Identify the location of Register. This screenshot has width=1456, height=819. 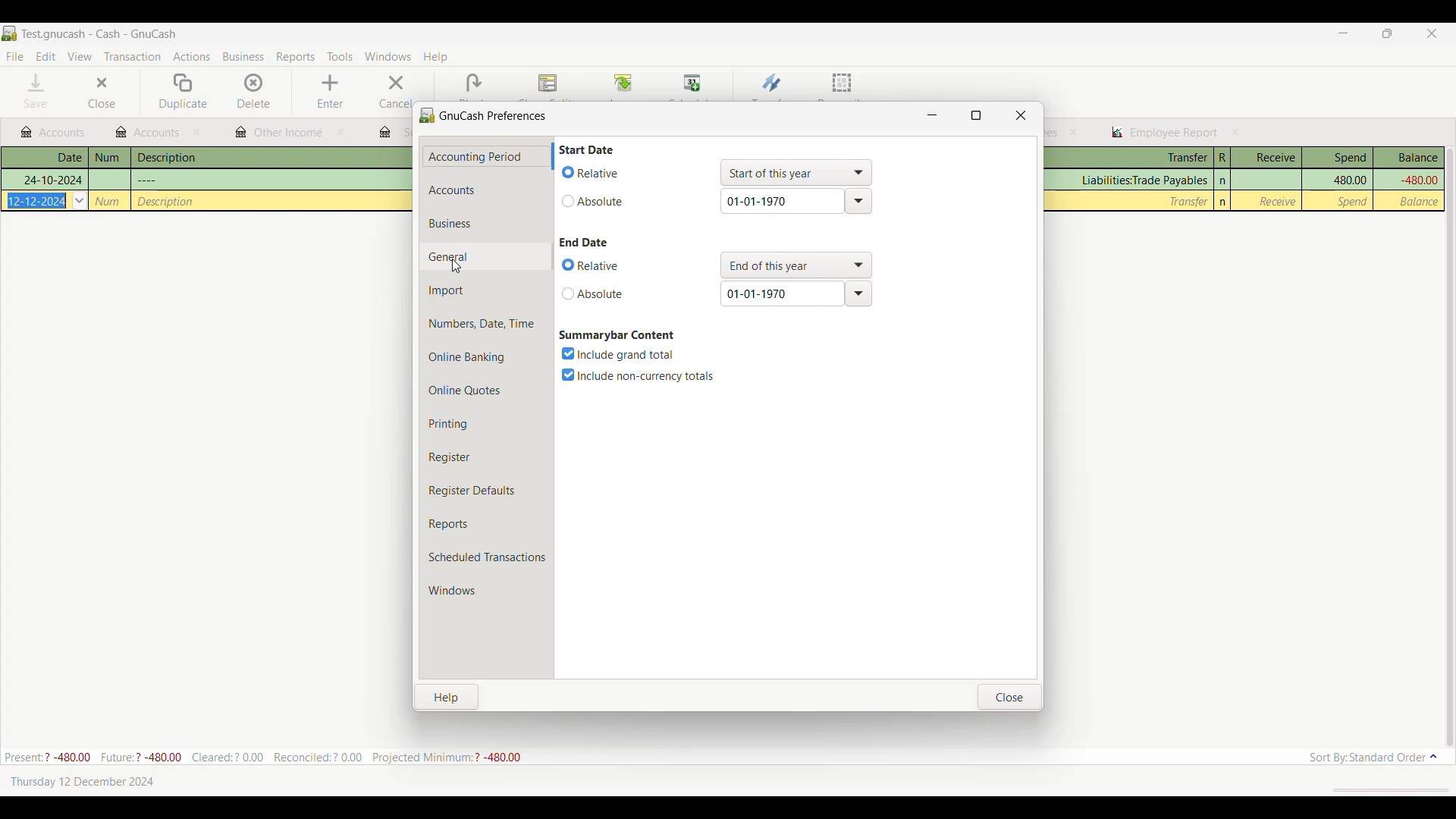
(485, 457).